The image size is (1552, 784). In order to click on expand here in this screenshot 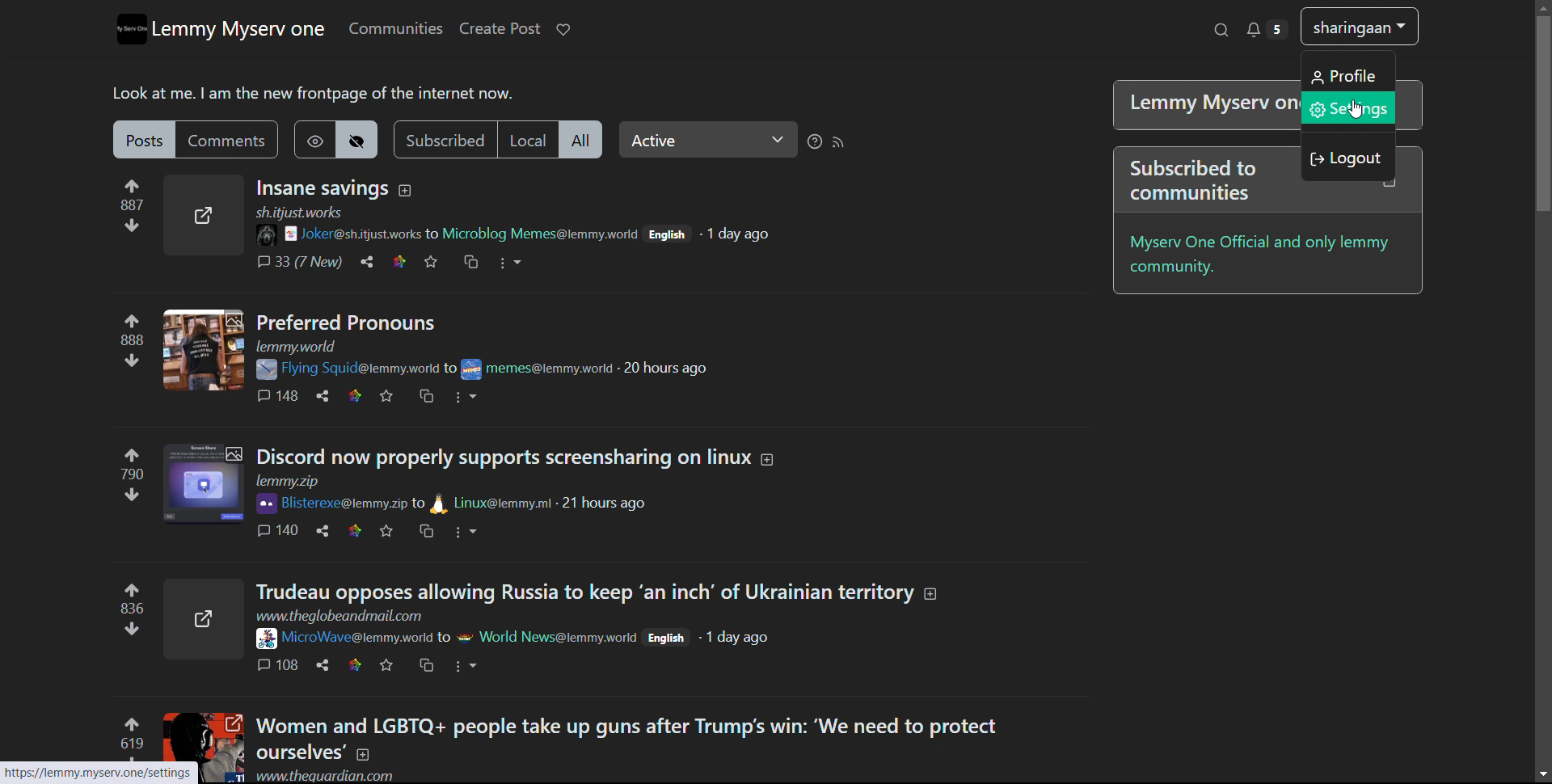, I will do `click(201, 214)`.